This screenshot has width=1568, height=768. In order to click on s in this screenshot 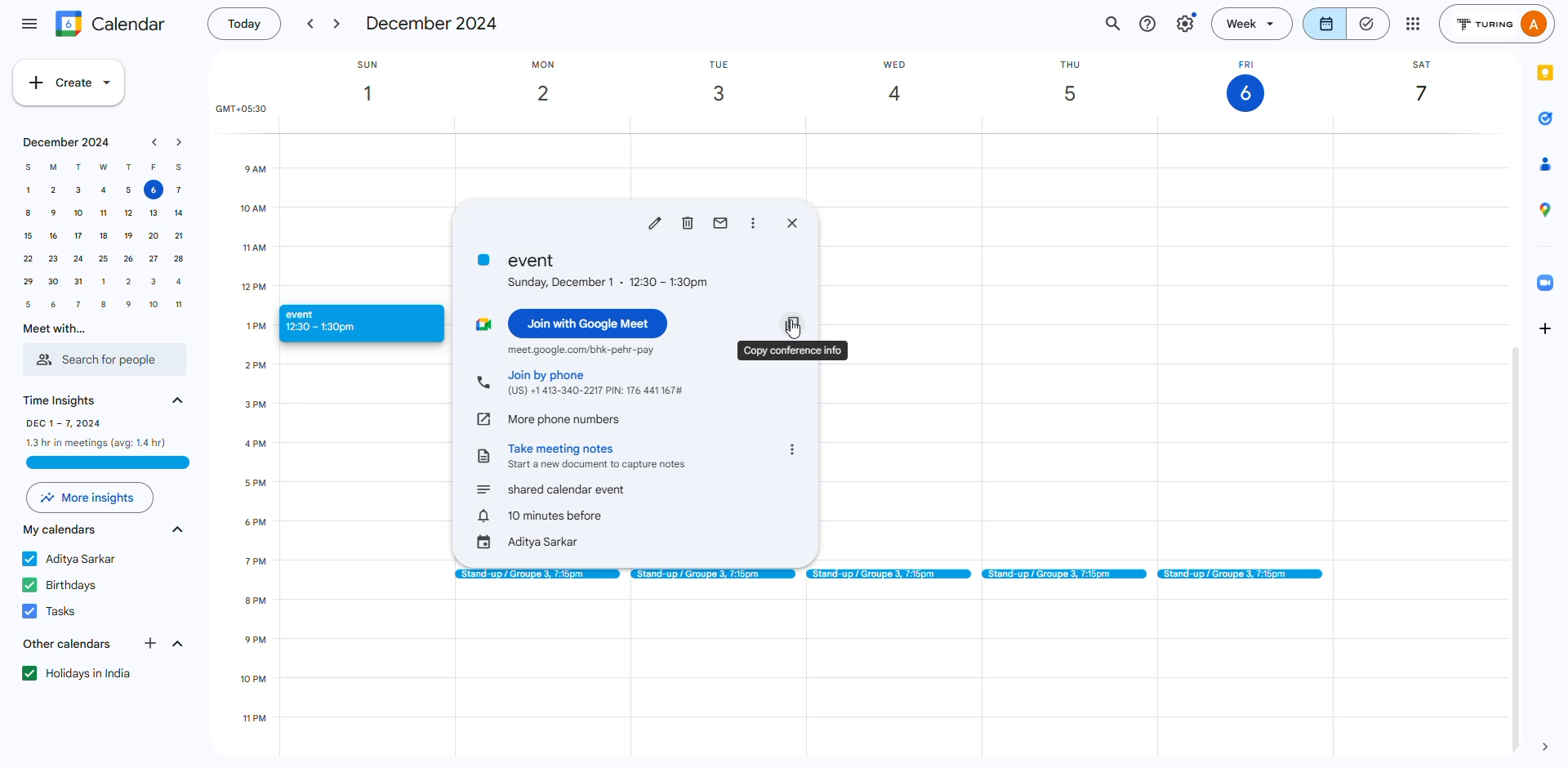, I will do `click(178, 167)`.